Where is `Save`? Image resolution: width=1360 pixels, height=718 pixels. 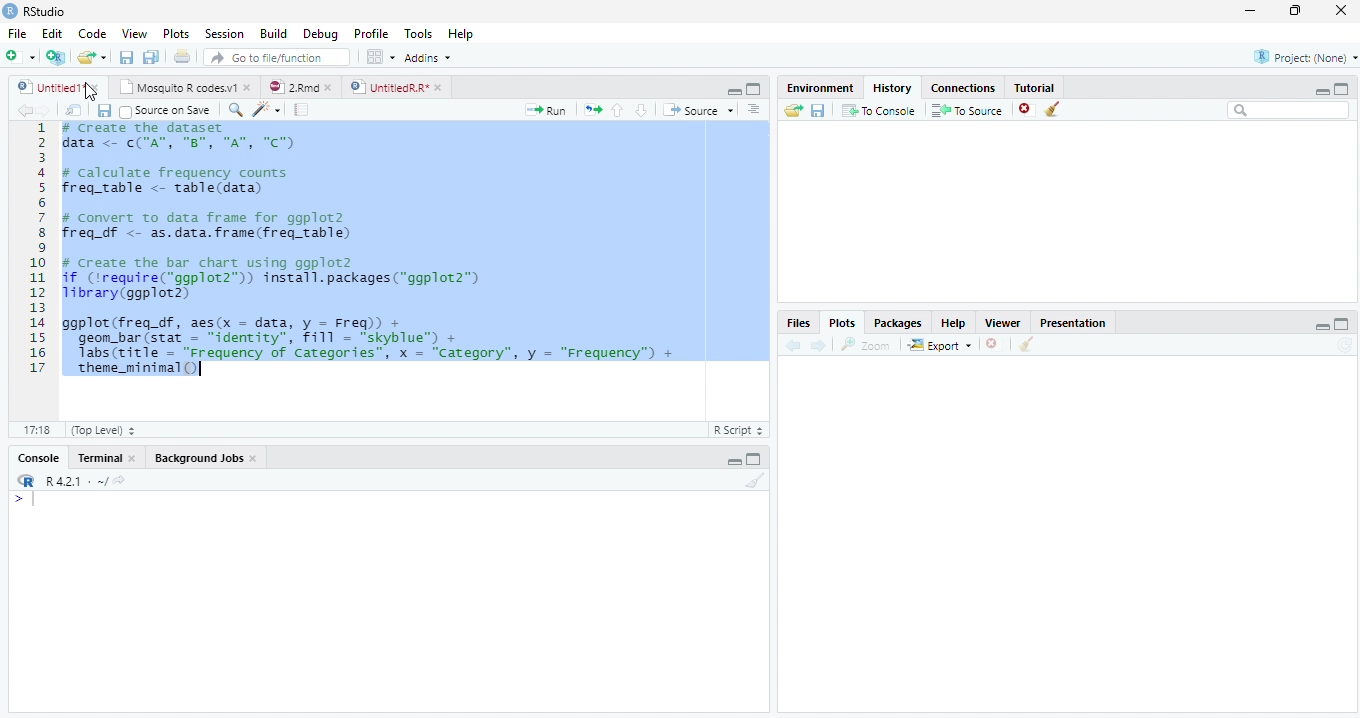 Save is located at coordinates (817, 113).